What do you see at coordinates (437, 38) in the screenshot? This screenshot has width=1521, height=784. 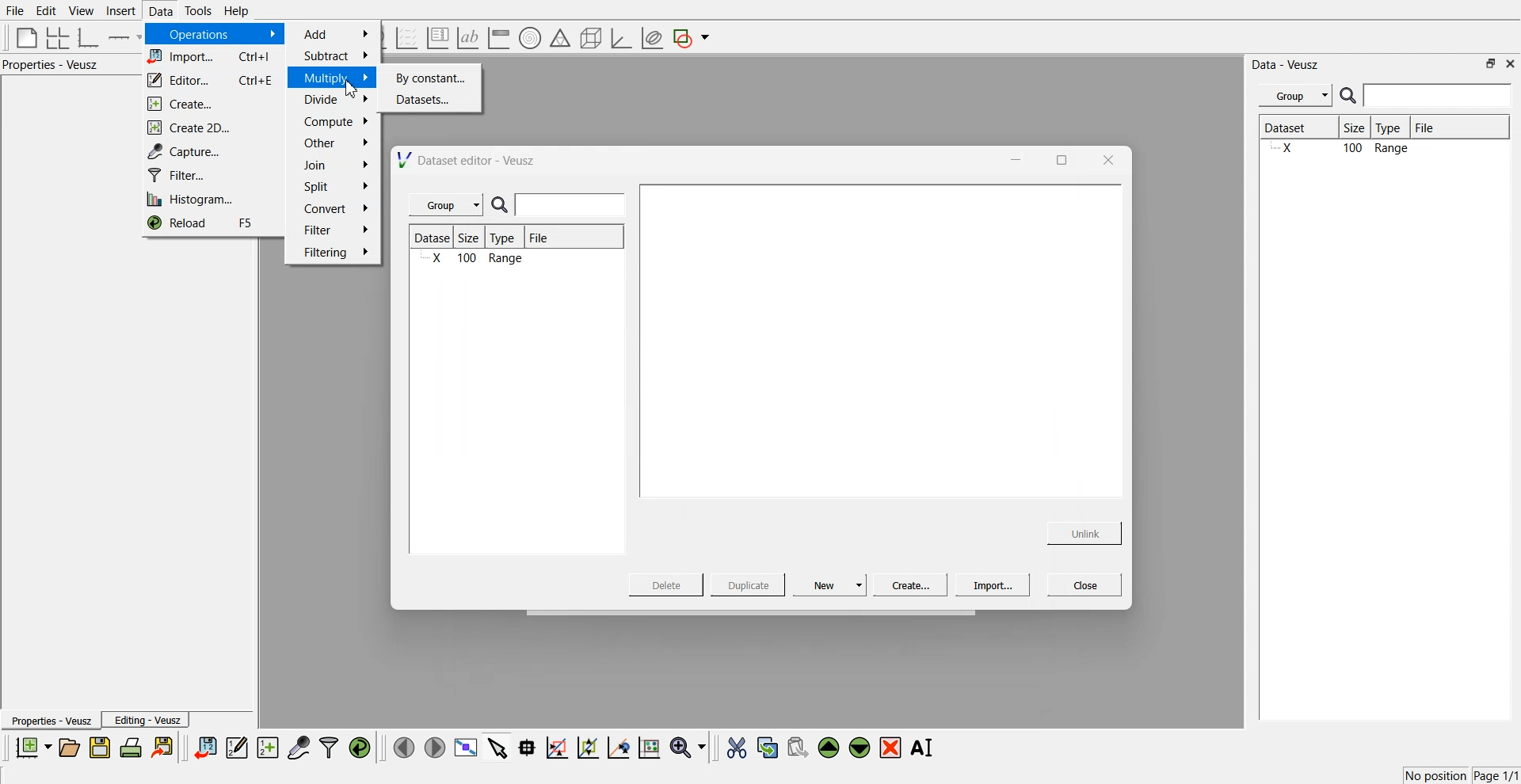 I see `plot key` at bounding box center [437, 38].